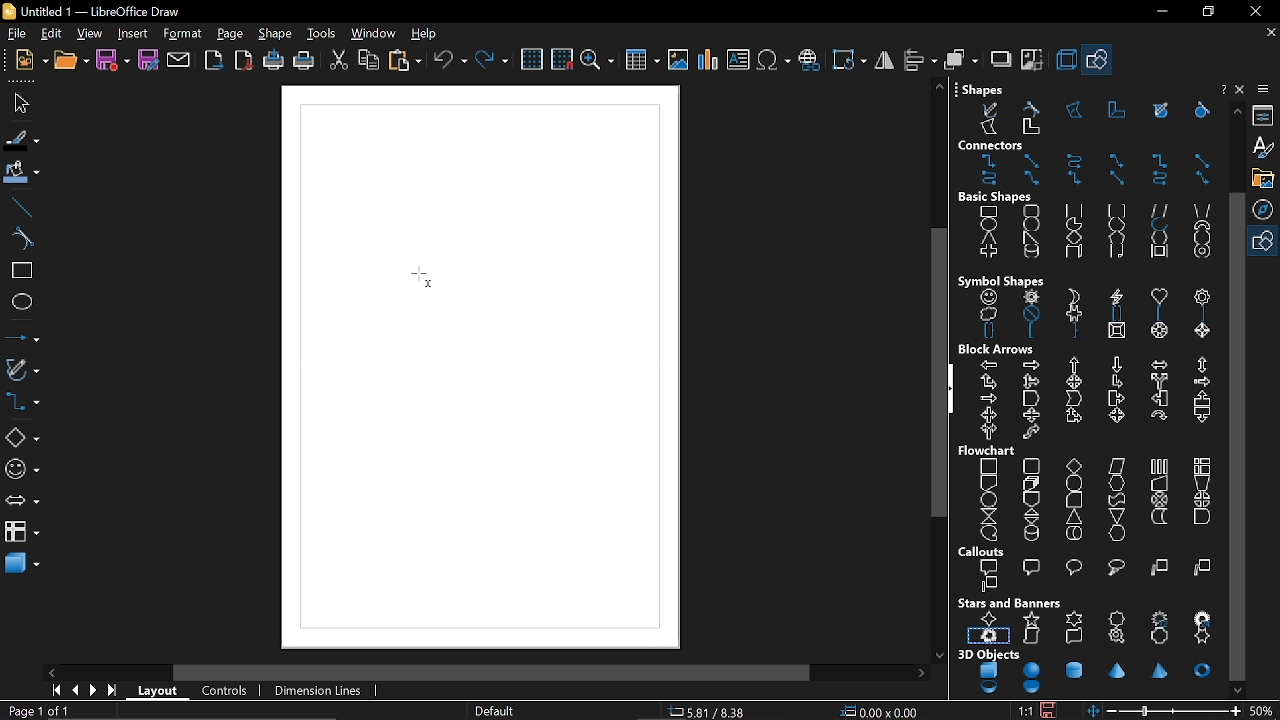 Image resolution: width=1280 pixels, height=720 pixels. Describe the element at coordinates (1088, 621) in the screenshot. I see `star and boxes` at that location.